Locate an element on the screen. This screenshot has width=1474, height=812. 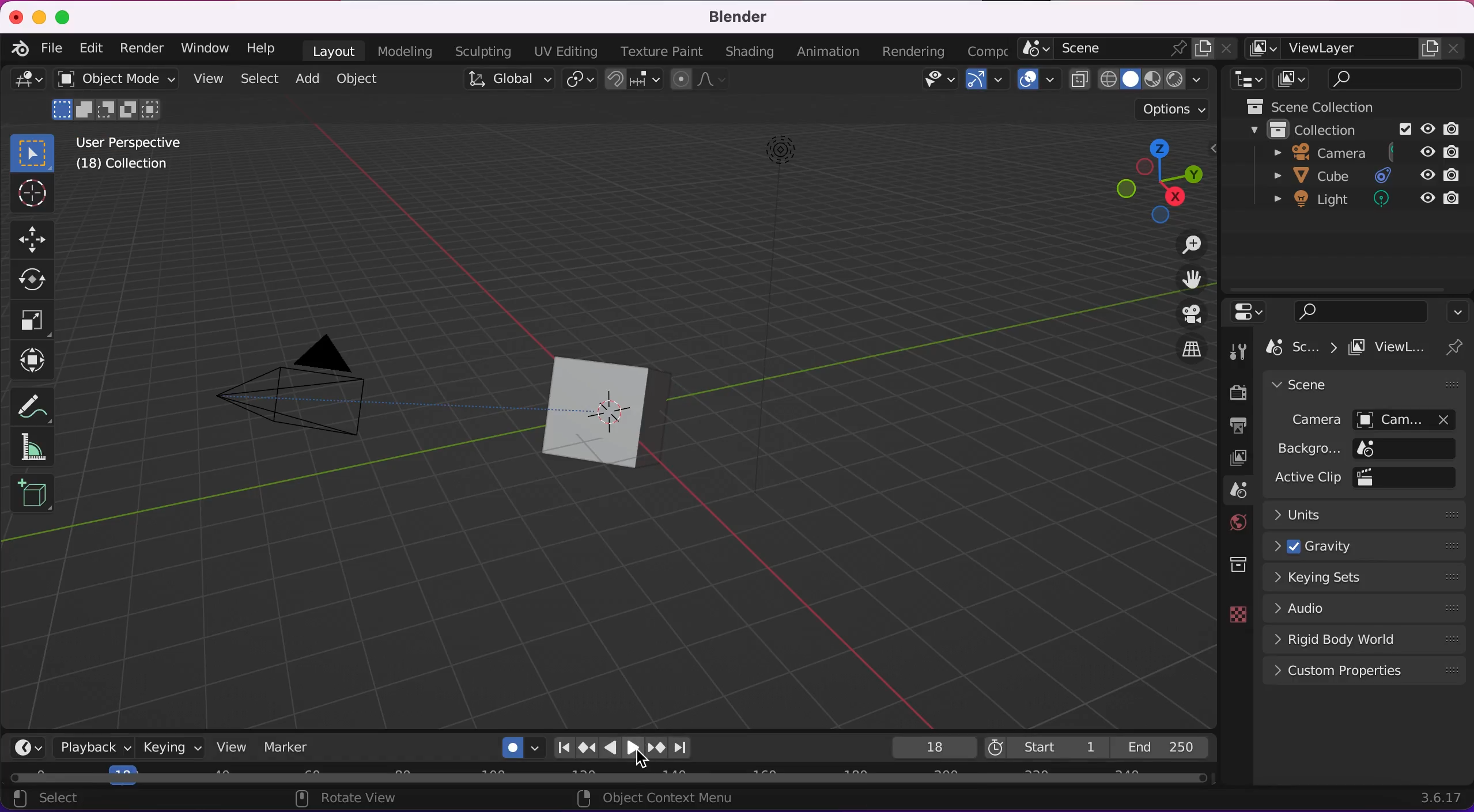
file is located at coordinates (49, 48).